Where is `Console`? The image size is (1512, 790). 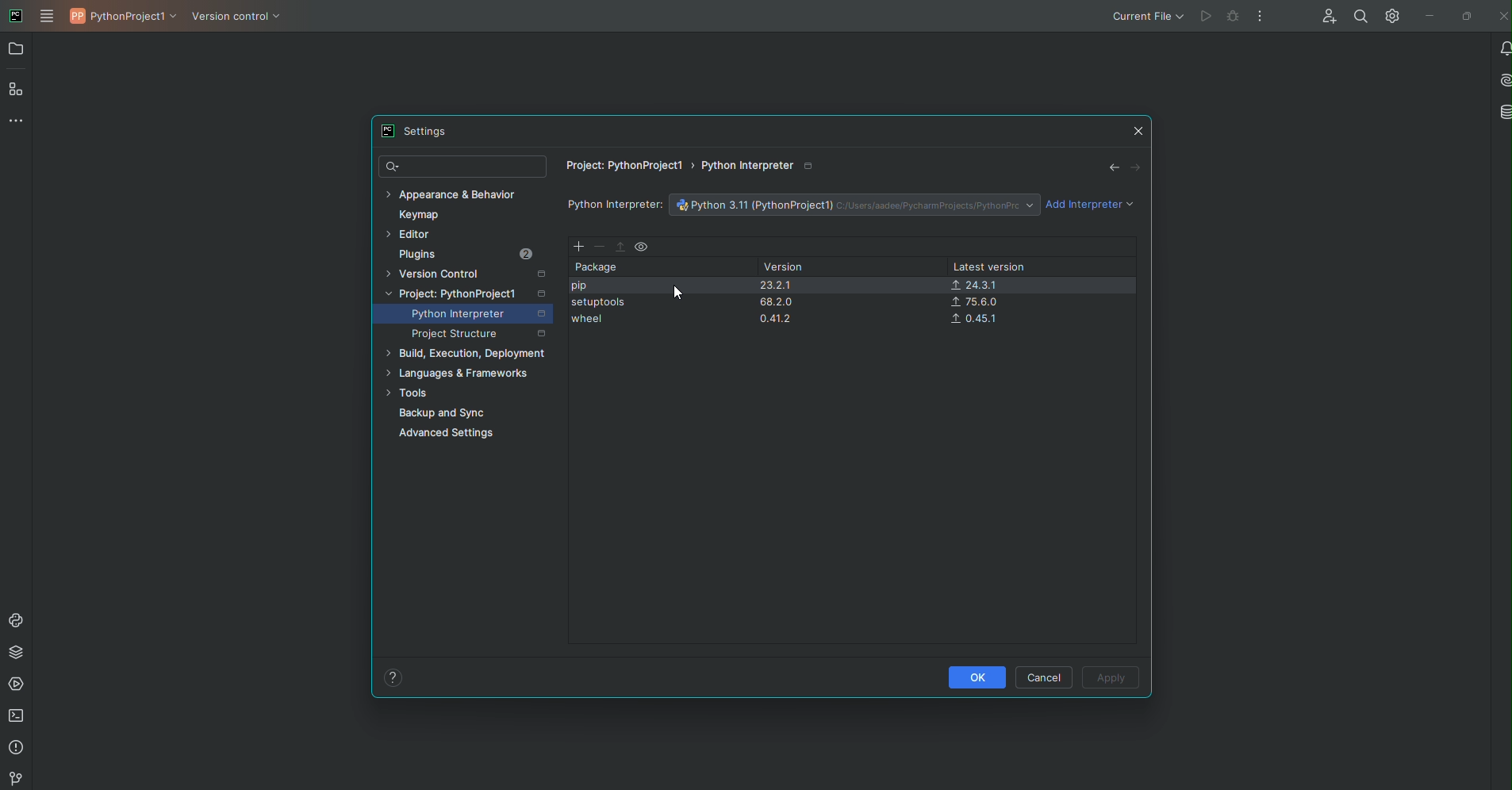 Console is located at coordinates (15, 618).